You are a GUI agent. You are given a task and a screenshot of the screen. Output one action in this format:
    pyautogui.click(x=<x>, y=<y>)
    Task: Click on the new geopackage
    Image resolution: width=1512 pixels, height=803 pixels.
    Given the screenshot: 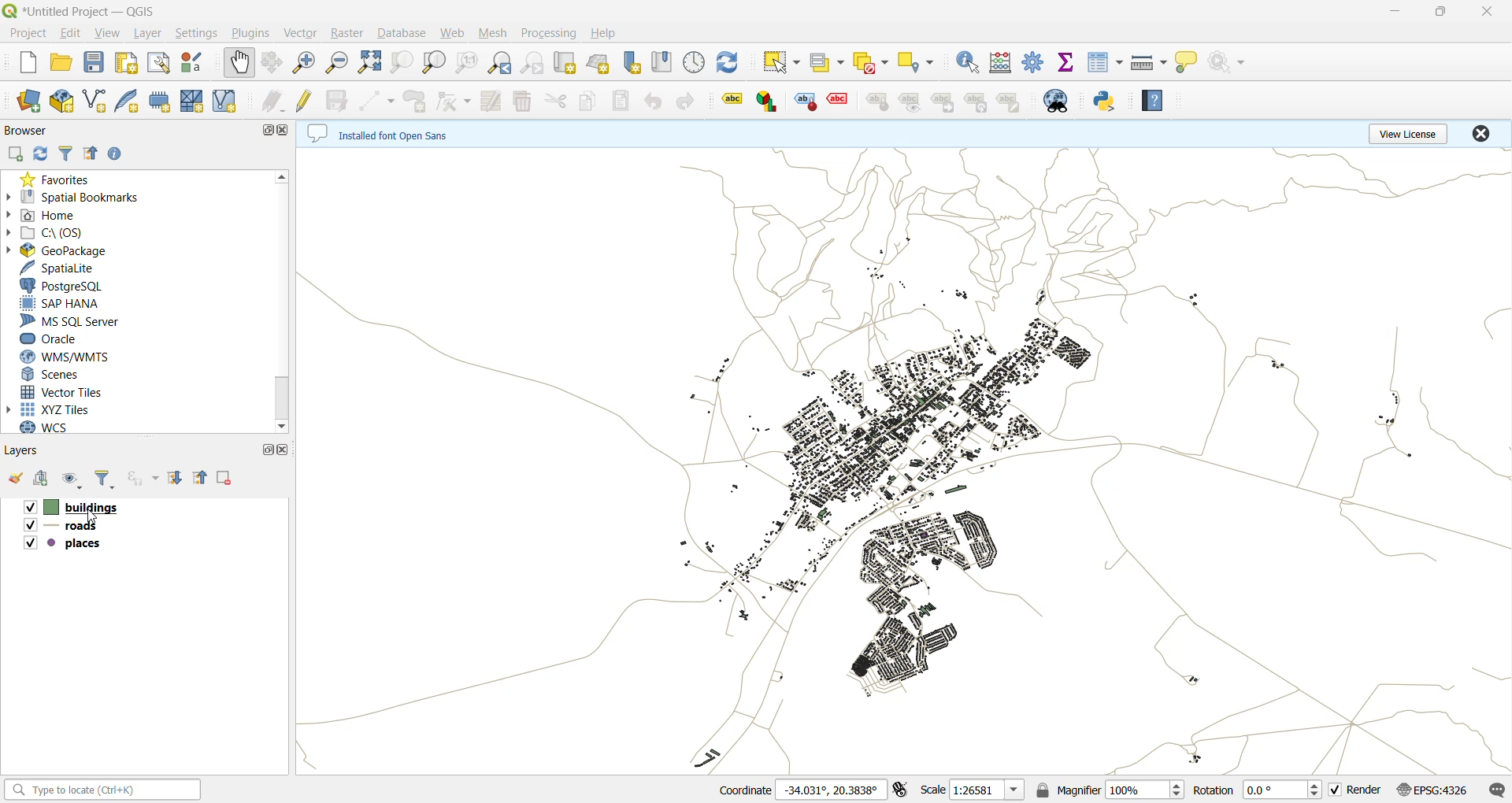 What is the action you would take?
    pyautogui.click(x=61, y=101)
    